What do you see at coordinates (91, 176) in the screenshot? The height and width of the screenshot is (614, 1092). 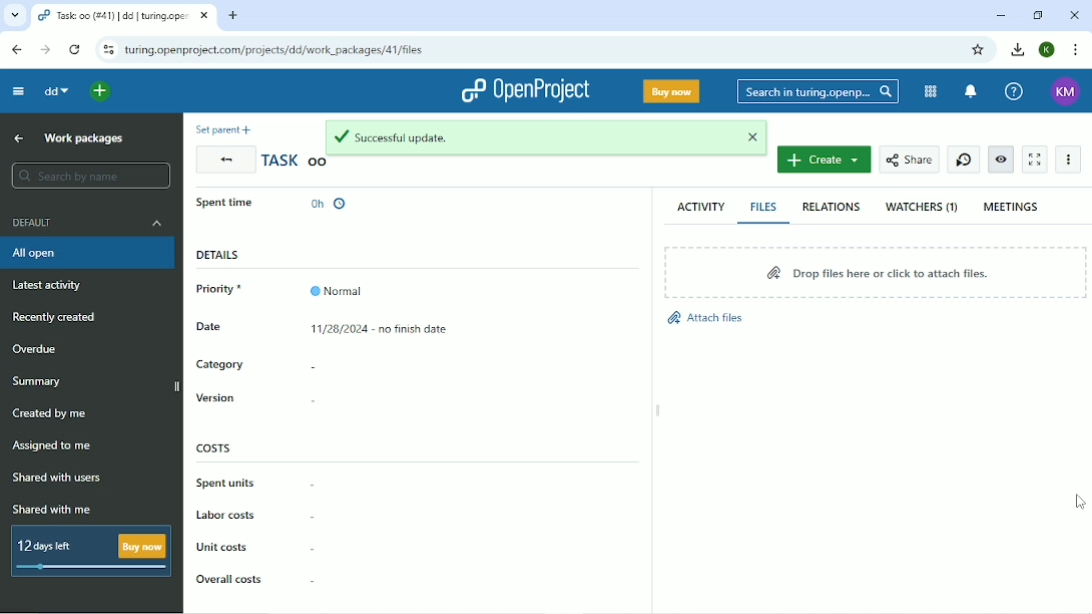 I see `Search by name` at bounding box center [91, 176].